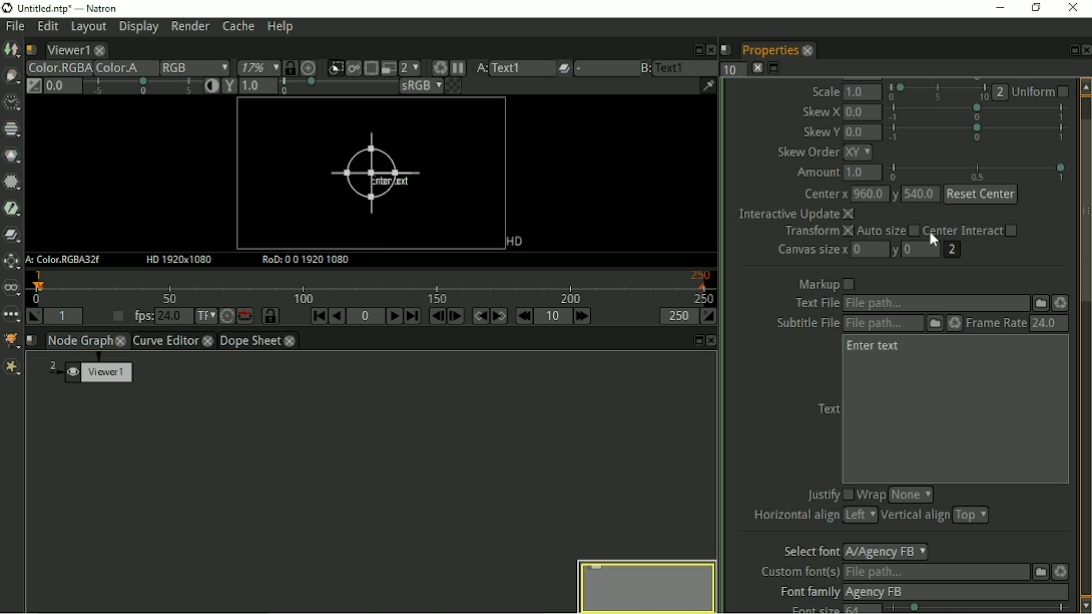 This screenshot has width=1092, height=614. What do you see at coordinates (251, 341) in the screenshot?
I see `Dope Sheet` at bounding box center [251, 341].